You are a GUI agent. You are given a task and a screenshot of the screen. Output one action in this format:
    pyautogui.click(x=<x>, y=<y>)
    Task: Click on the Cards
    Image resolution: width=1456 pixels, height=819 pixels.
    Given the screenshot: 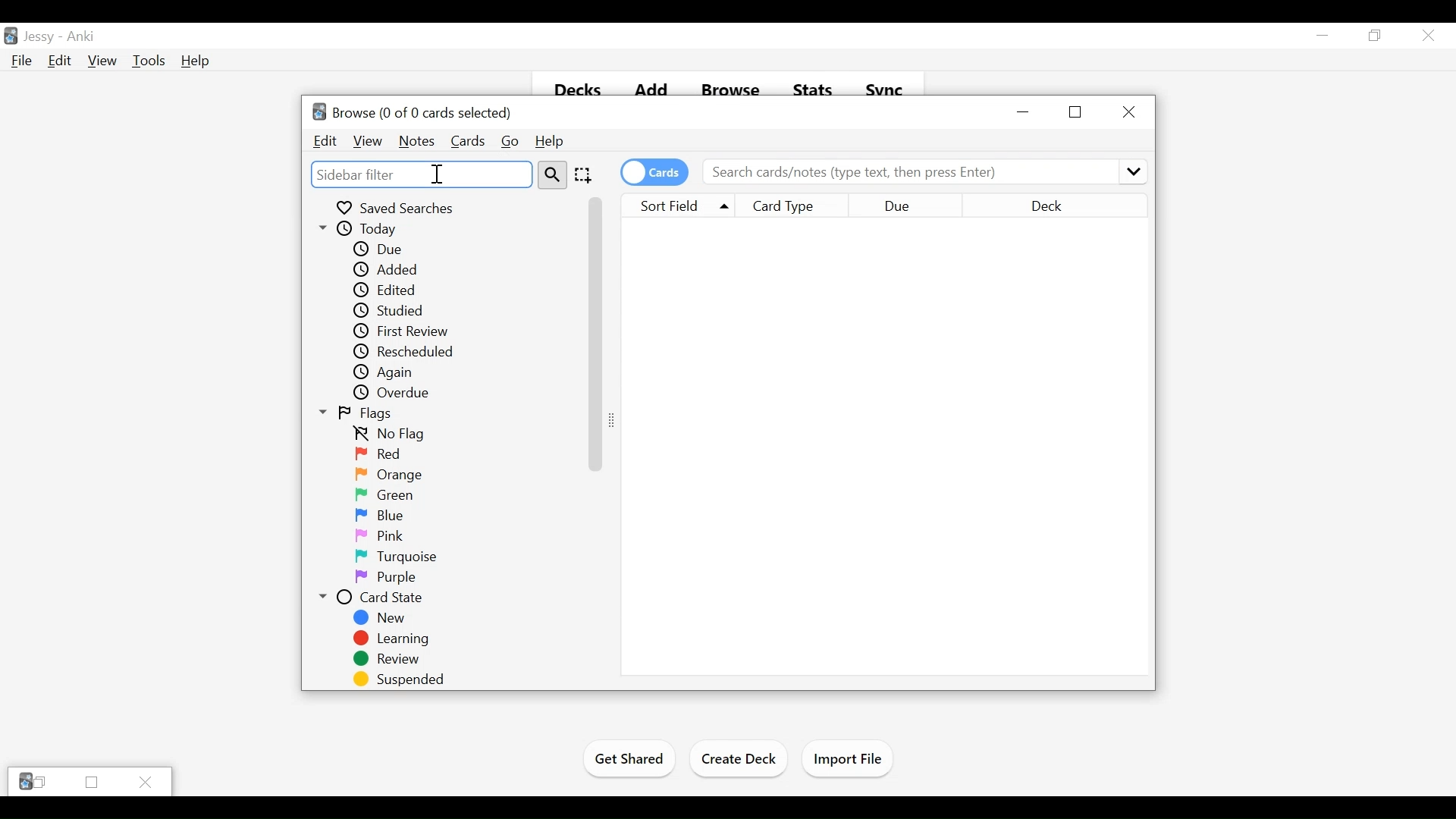 What is the action you would take?
    pyautogui.click(x=466, y=142)
    